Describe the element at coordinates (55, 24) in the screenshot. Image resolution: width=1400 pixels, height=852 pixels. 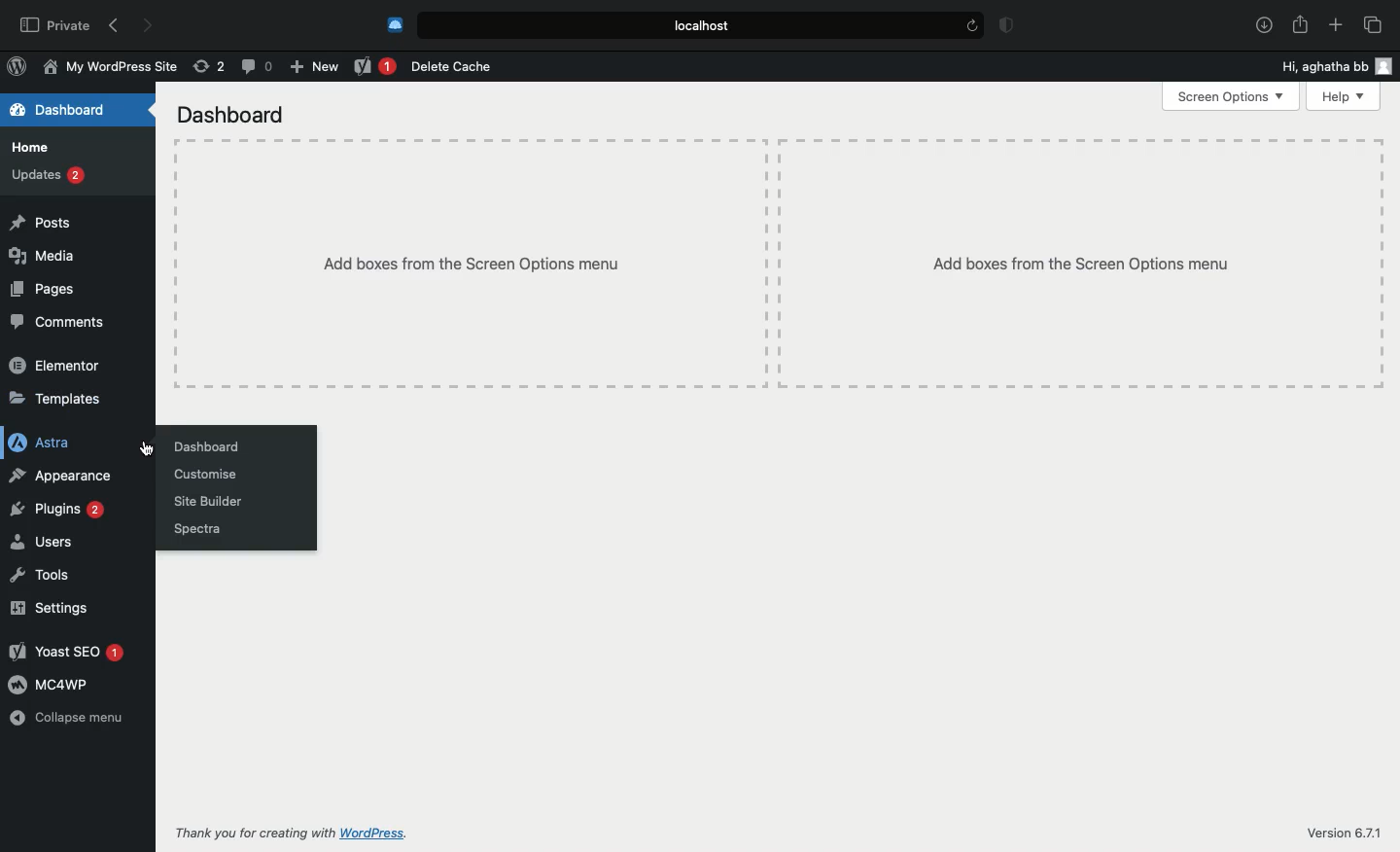
I see `Private` at that location.